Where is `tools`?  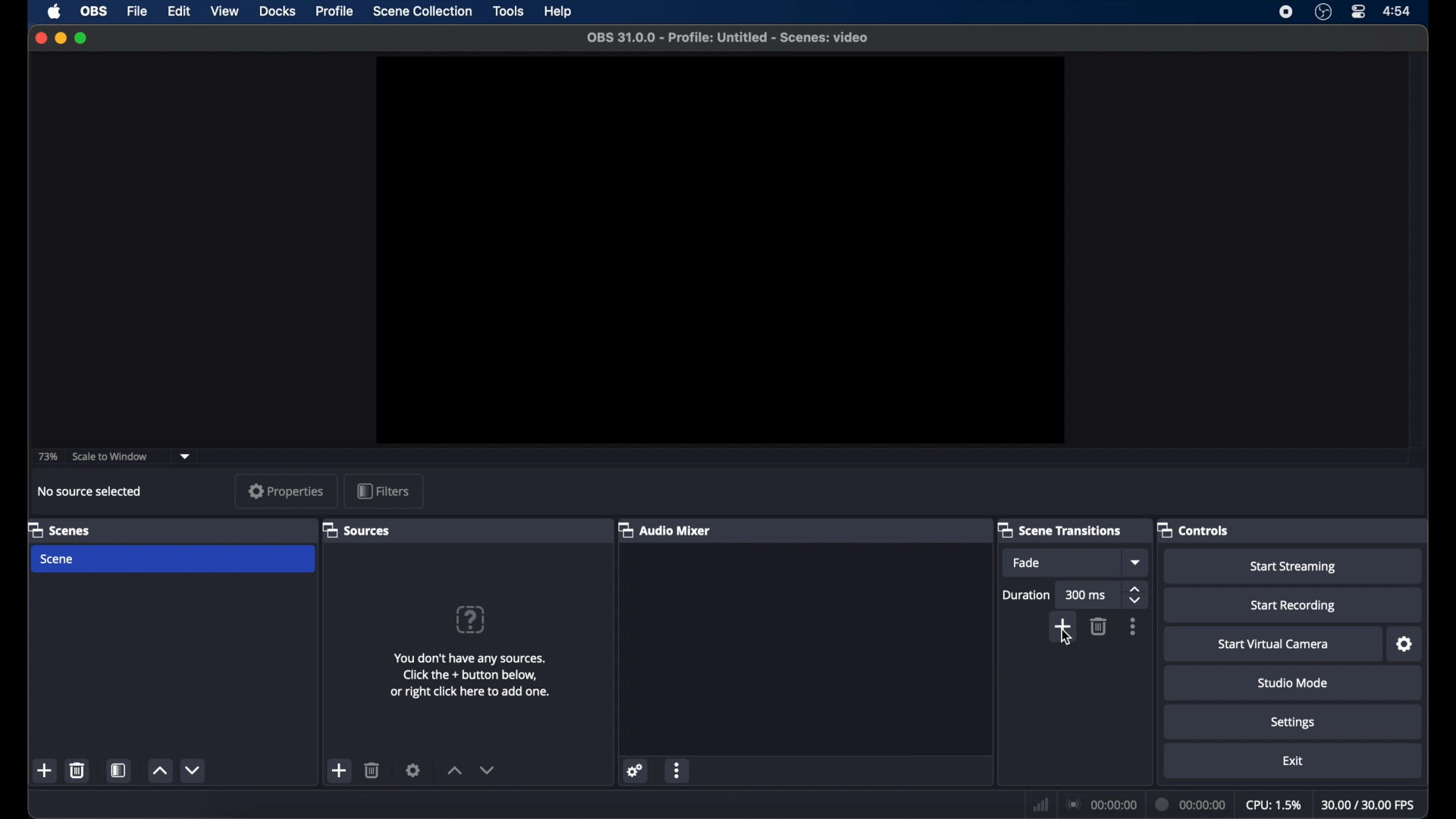
tools is located at coordinates (510, 11).